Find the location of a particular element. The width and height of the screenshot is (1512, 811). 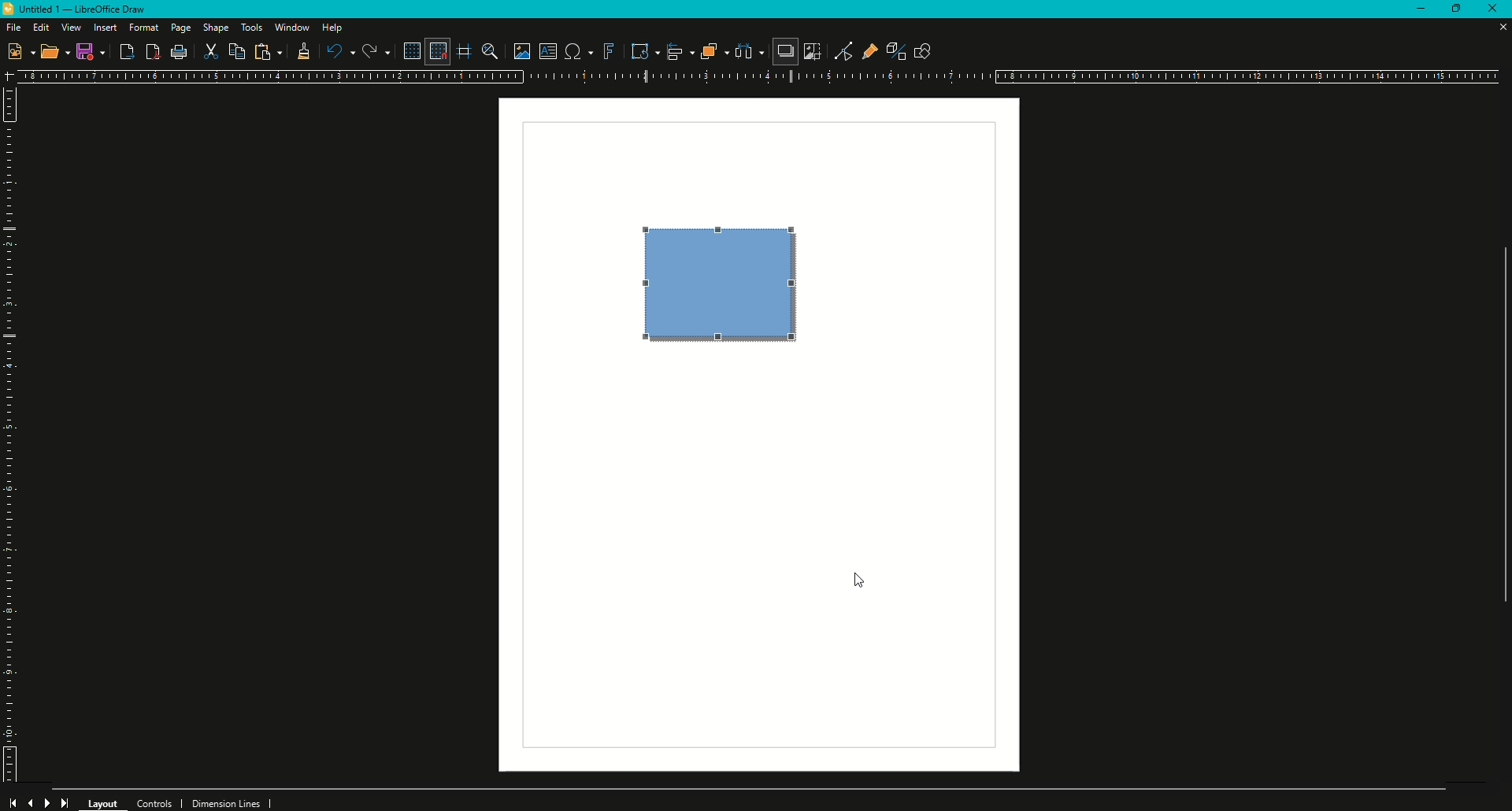

Shadow is located at coordinates (784, 53).